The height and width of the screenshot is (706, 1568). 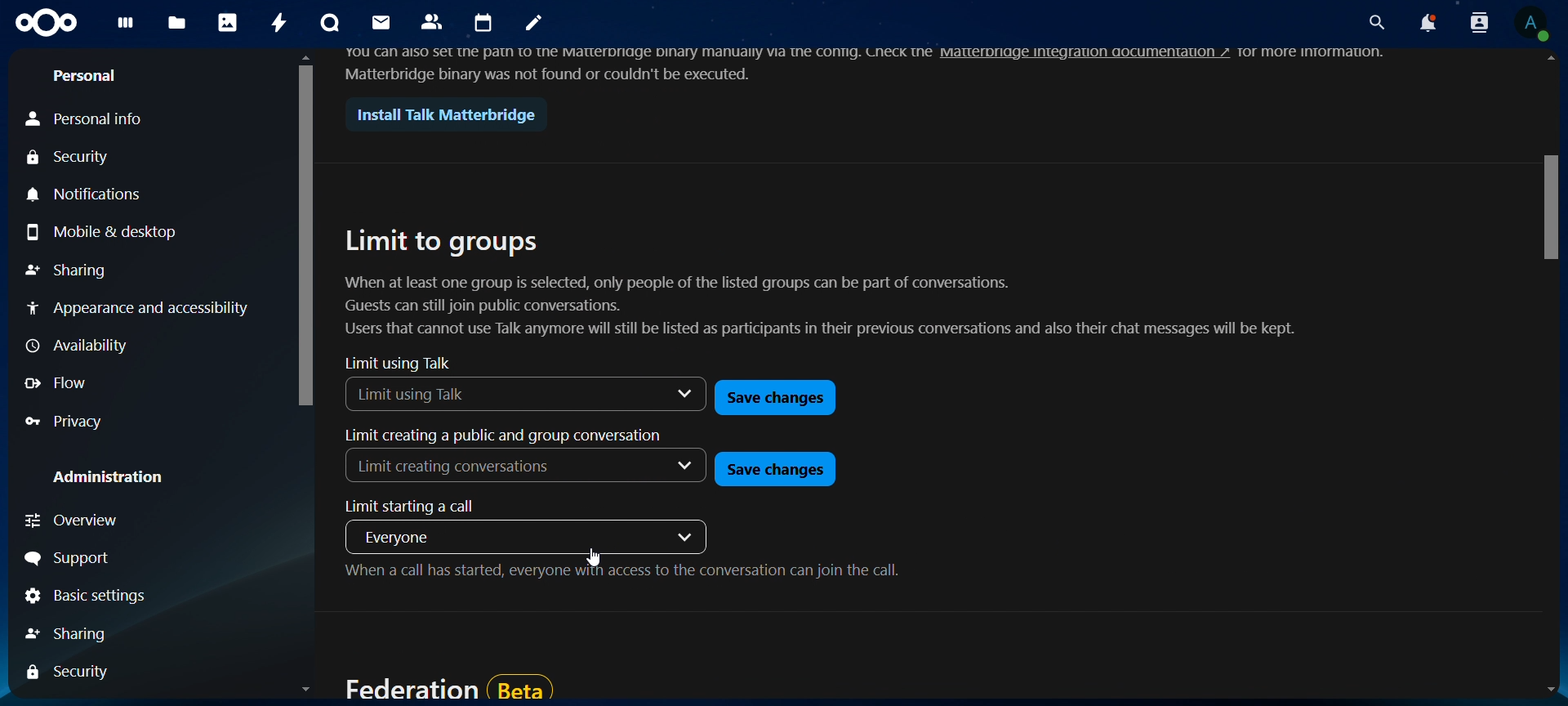 I want to click on talk, so click(x=328, y=23).